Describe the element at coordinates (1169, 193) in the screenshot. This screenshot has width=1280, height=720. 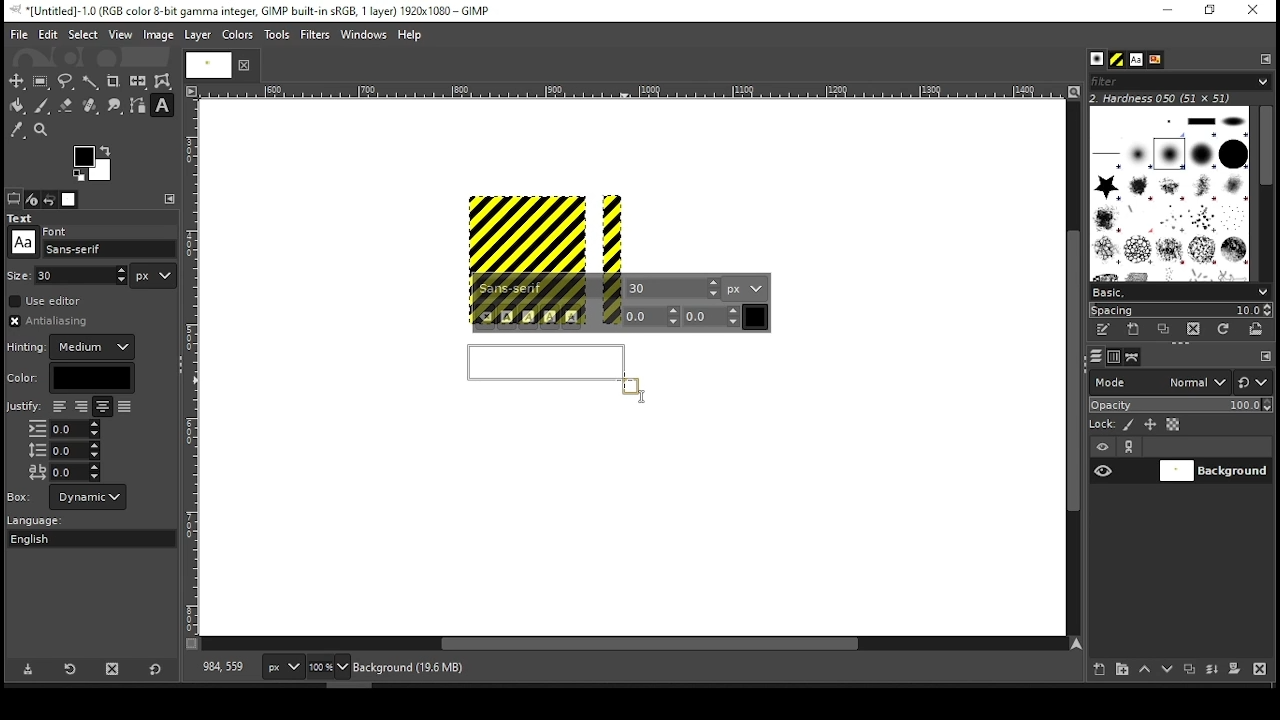
I see `brushes` at that location.